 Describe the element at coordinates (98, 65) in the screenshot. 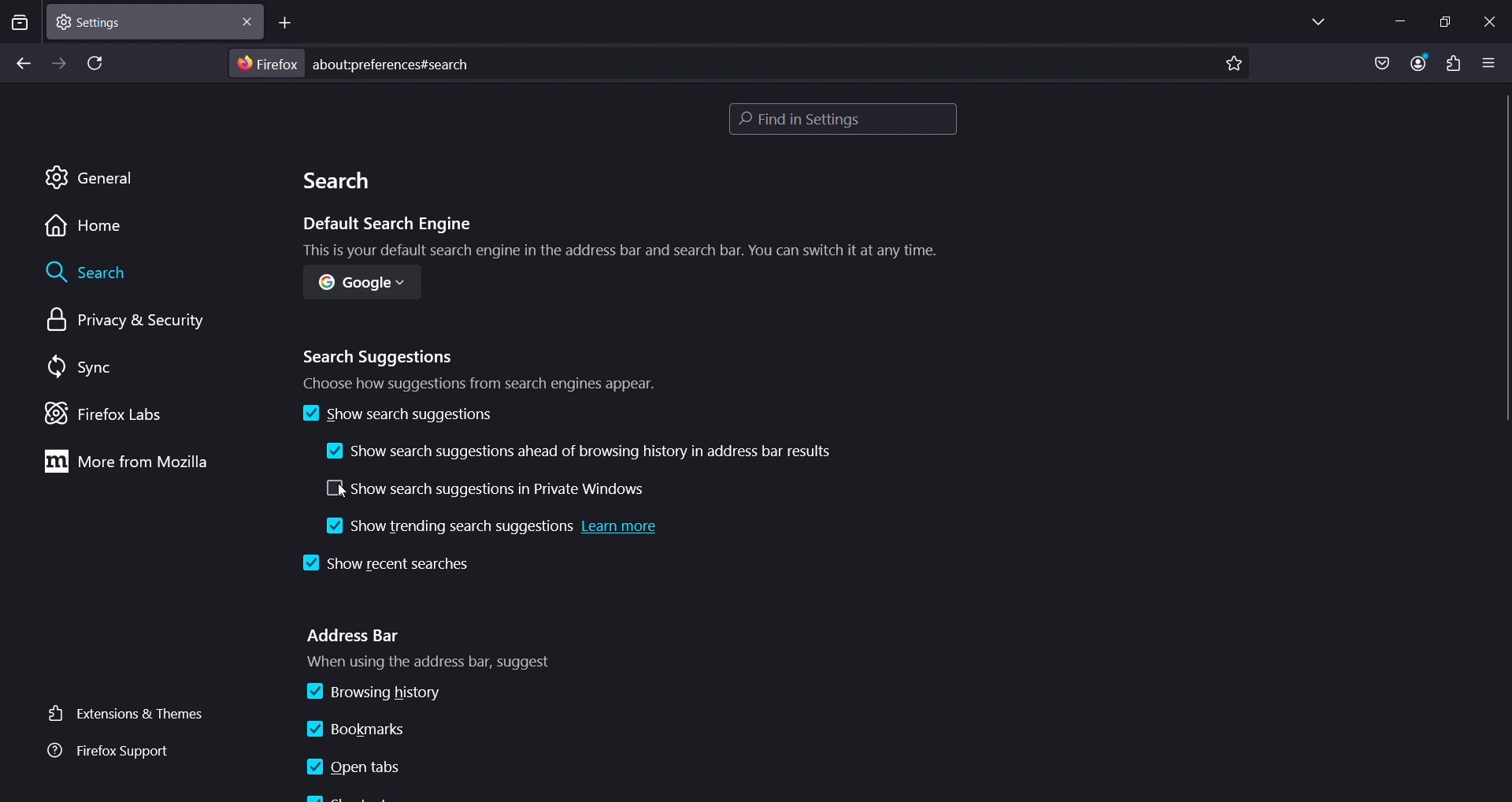

I see `reload` at that location.